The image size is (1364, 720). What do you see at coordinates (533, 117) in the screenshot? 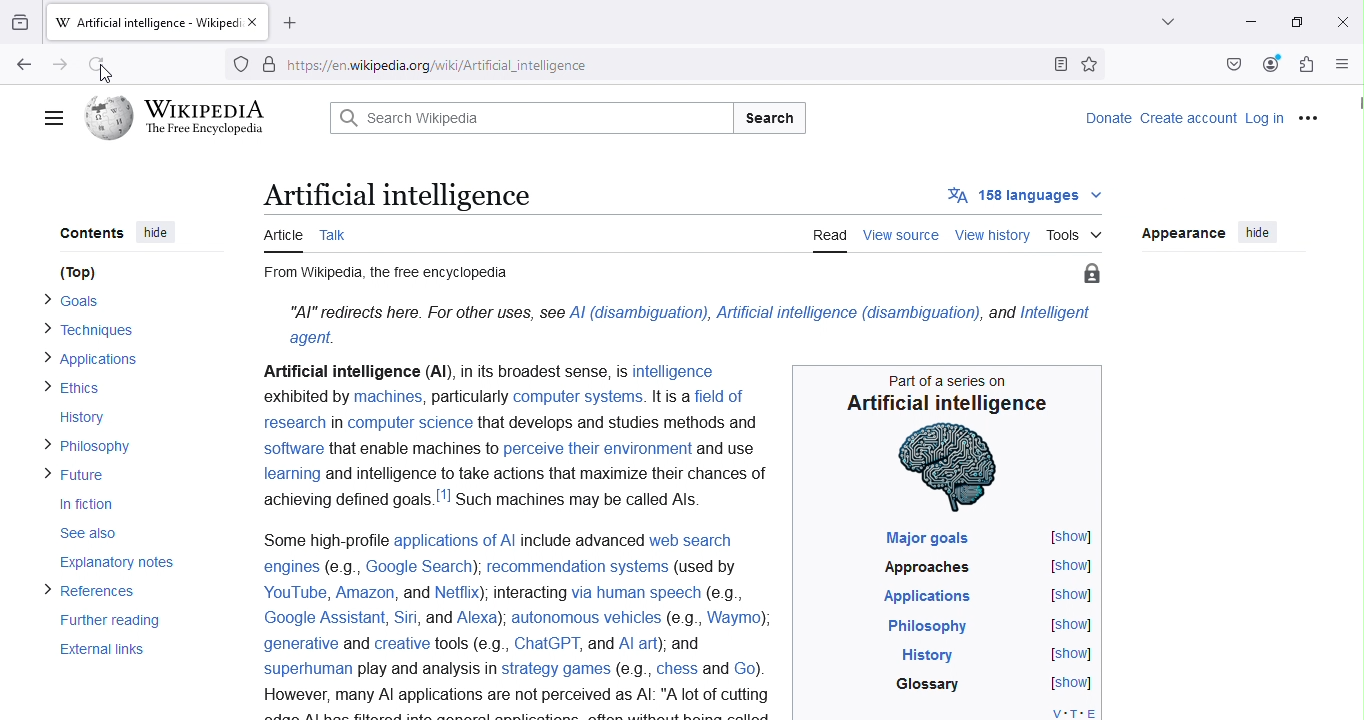
I see `Q Search Wikipedia` at bounding box center [533, 117].